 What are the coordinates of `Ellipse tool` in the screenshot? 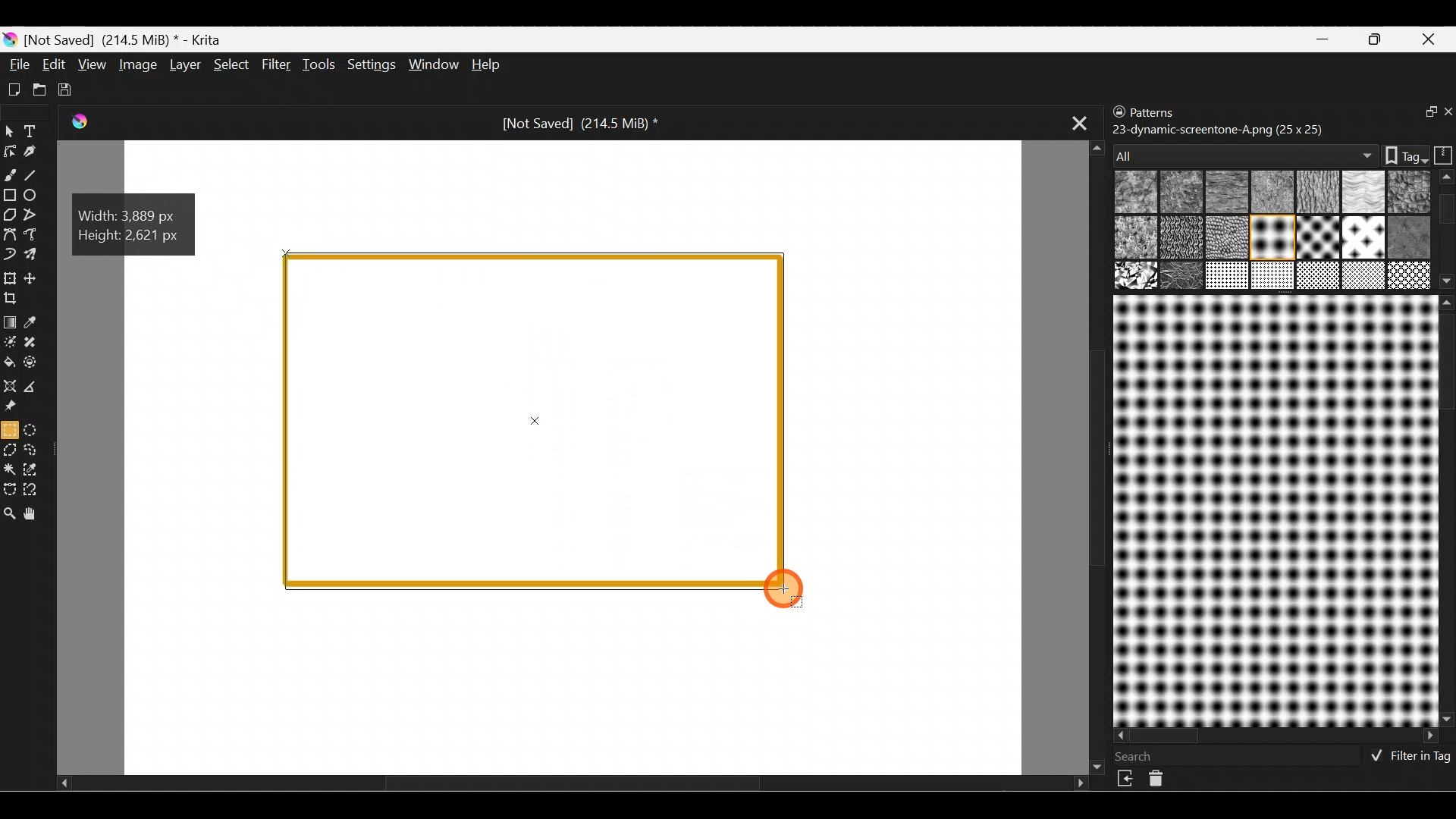 It's located at (37, 195).